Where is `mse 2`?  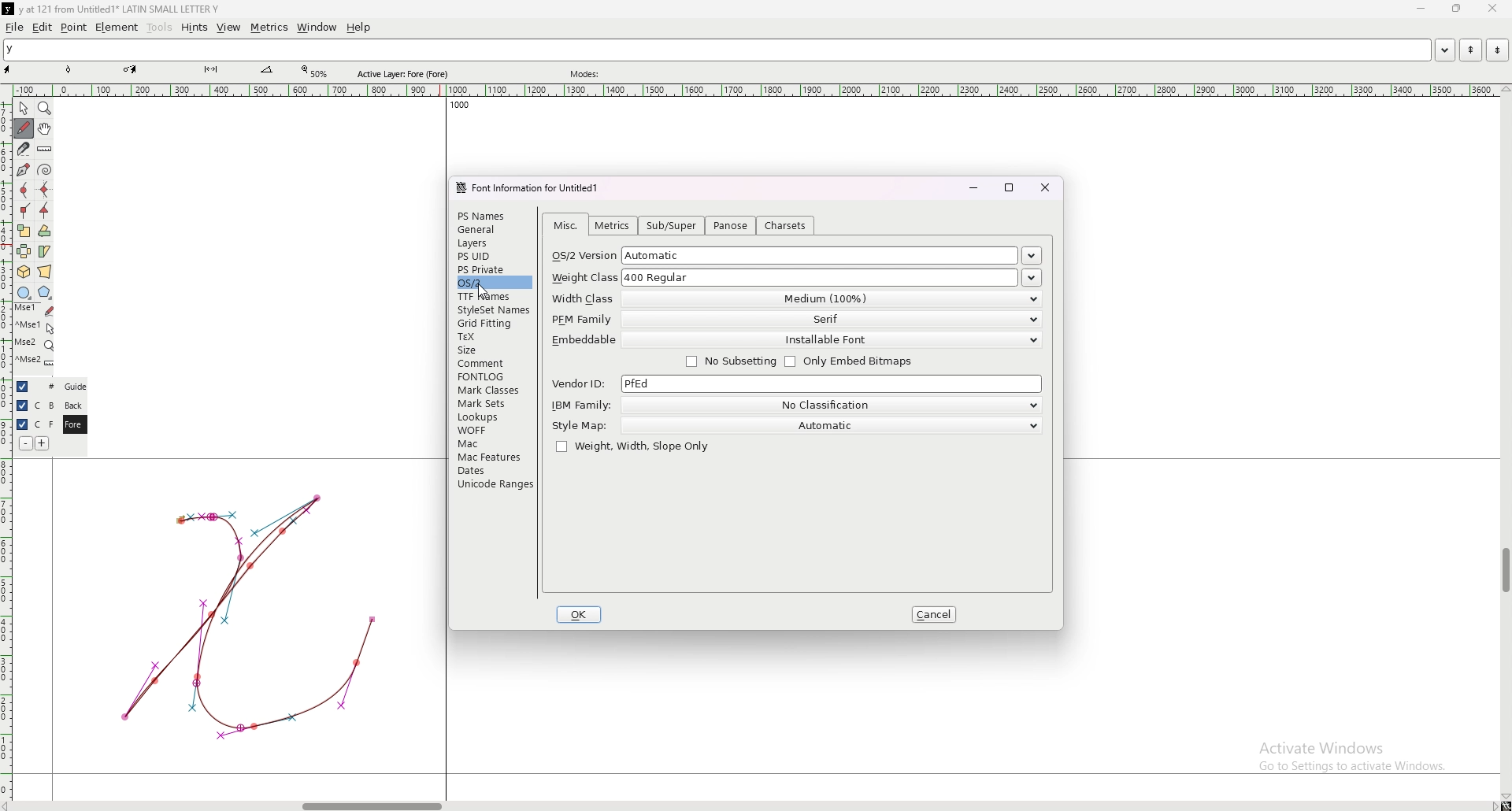 mse 2 is located at coordinates (34, 344).